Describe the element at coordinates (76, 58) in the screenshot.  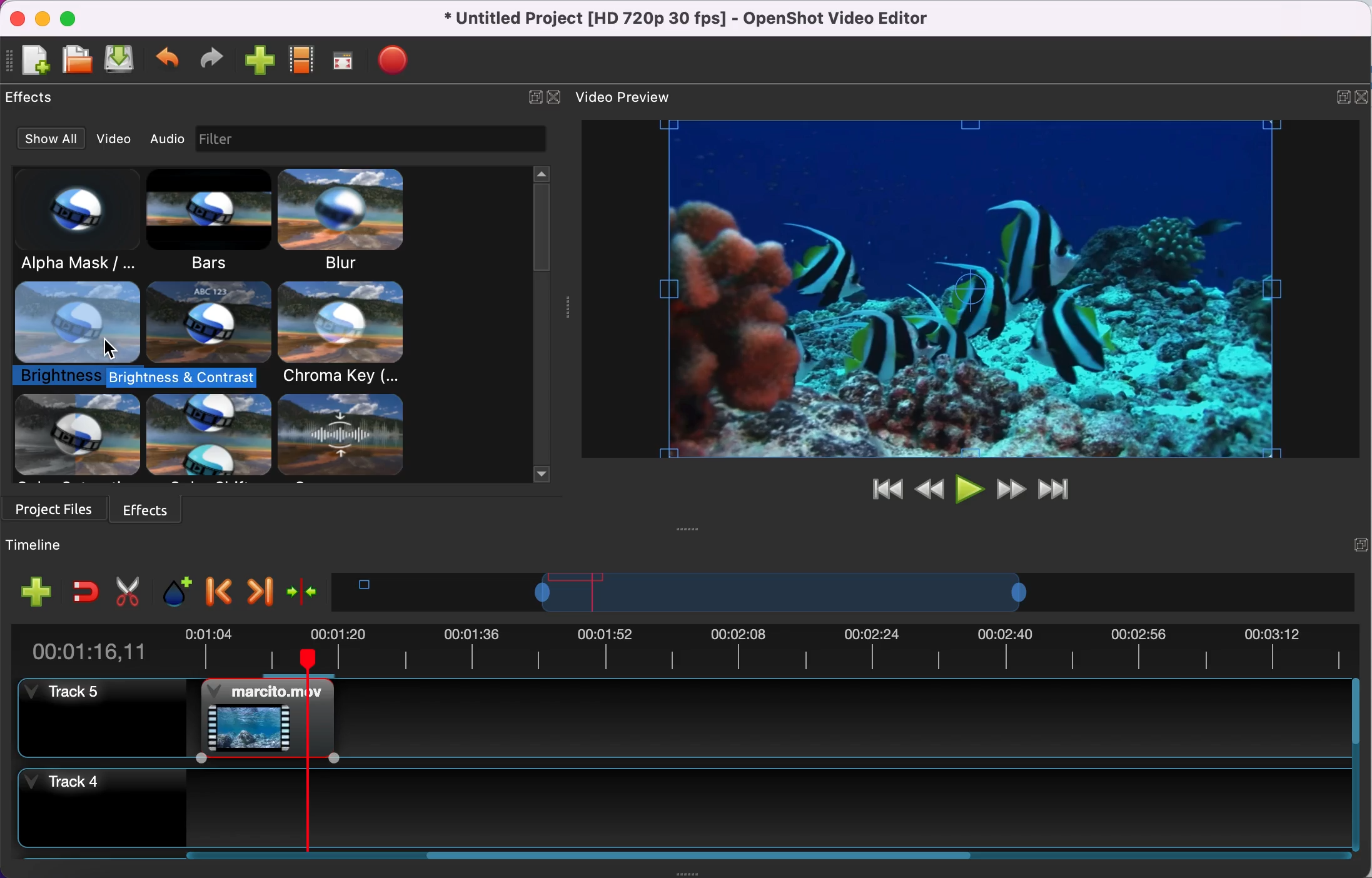
I see `open file` at that location.